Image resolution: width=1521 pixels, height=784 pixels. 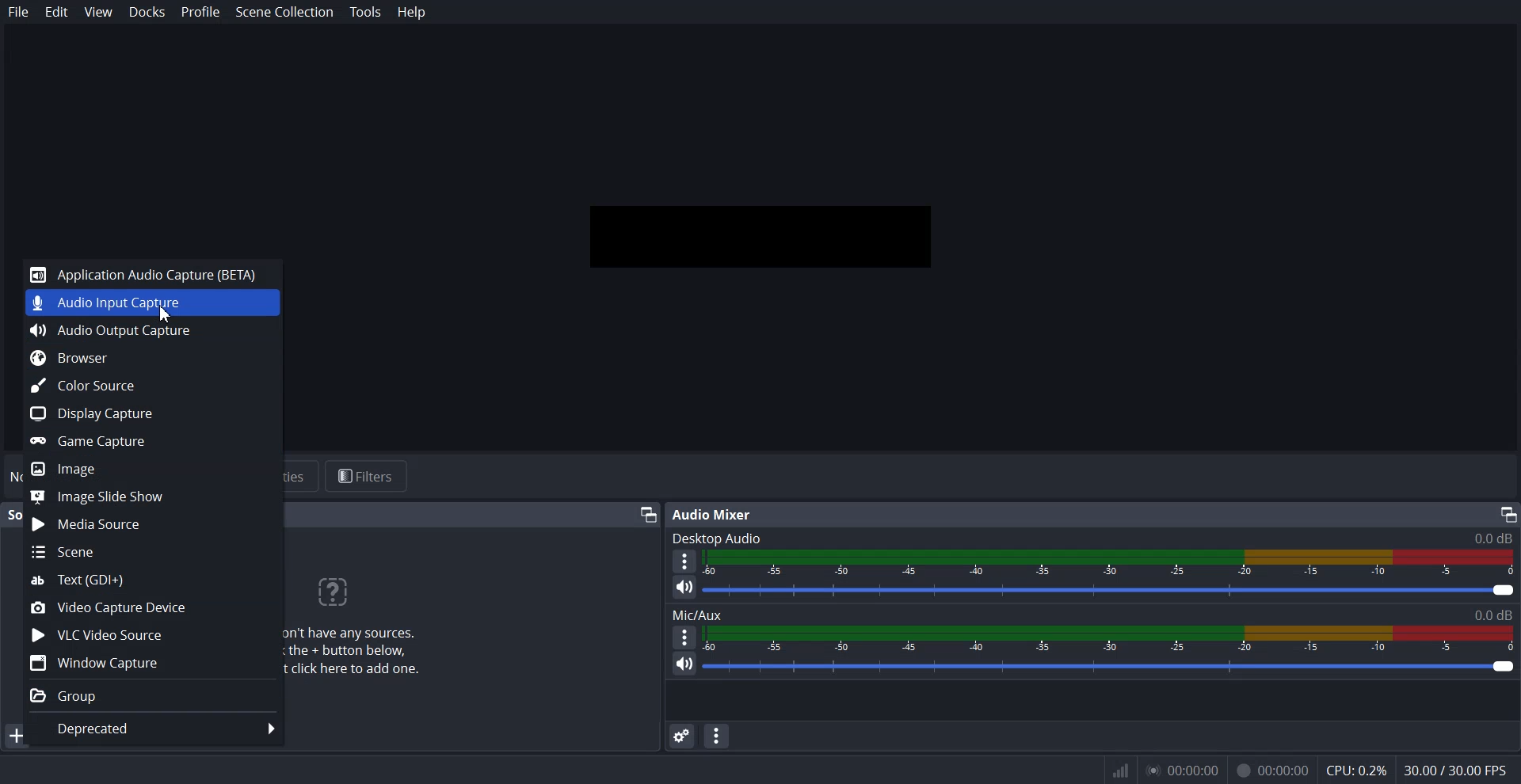 I want to click on Window Capture, so click(x=153, y=663).